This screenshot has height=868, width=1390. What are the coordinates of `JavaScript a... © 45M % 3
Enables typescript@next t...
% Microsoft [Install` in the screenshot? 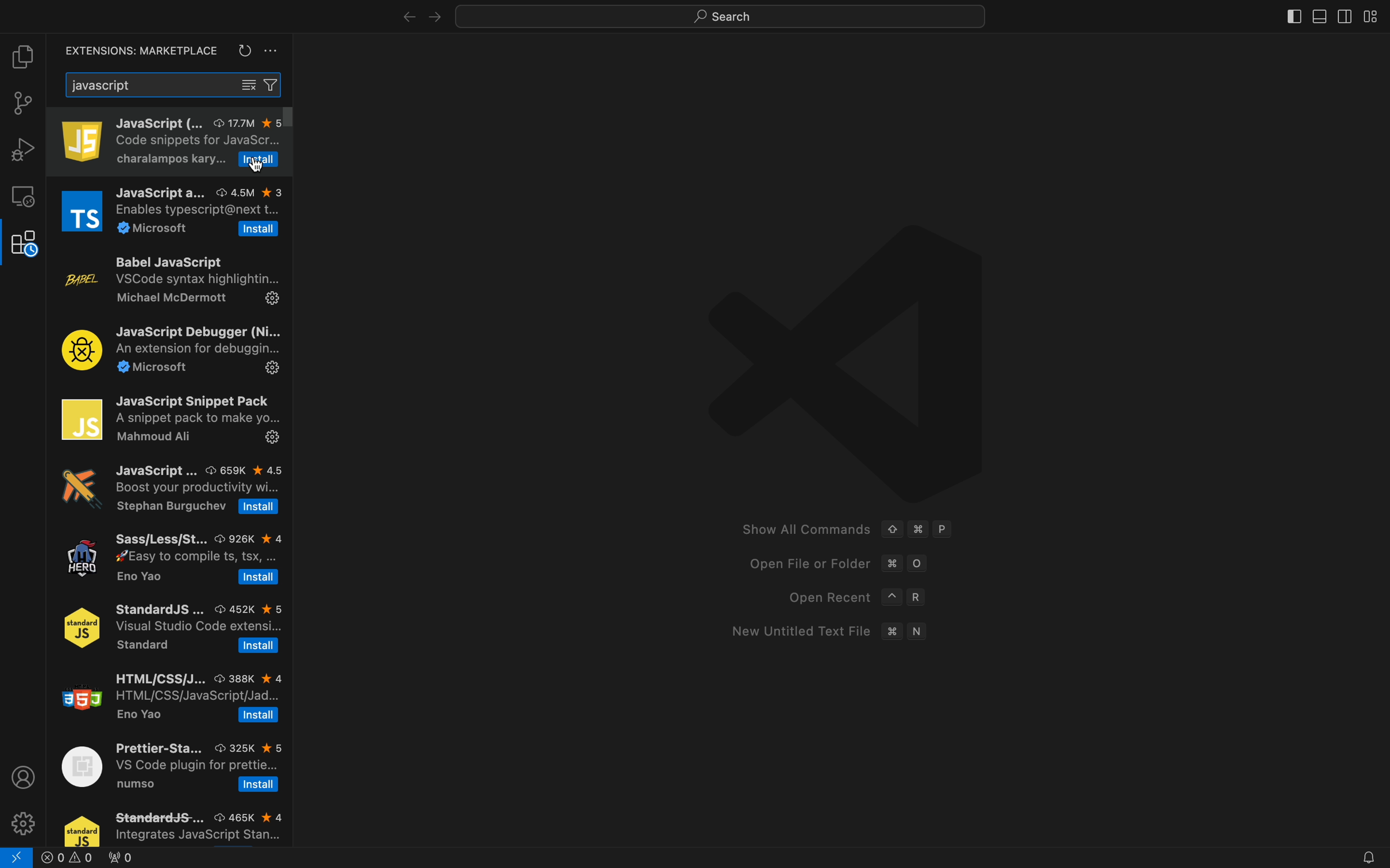 It's located at (169, 207).